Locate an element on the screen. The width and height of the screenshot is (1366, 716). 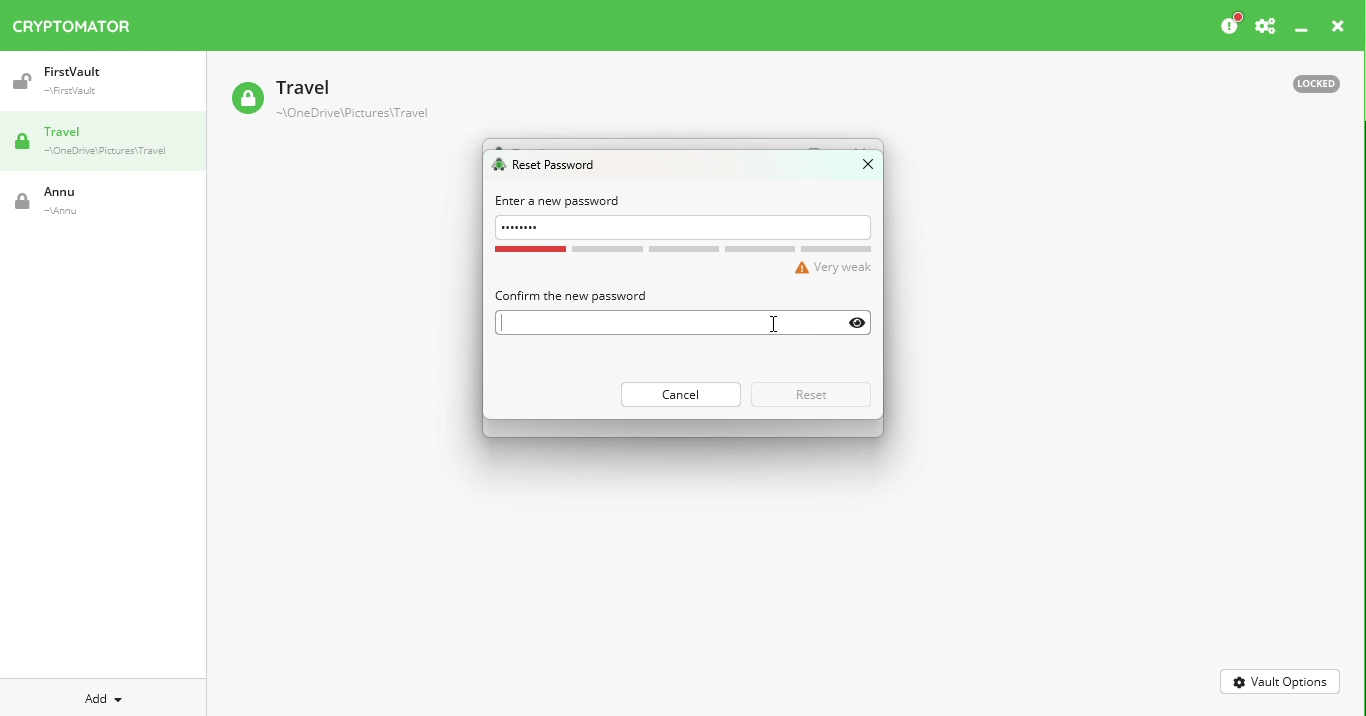
Travel is located at coordinates (110, 143).